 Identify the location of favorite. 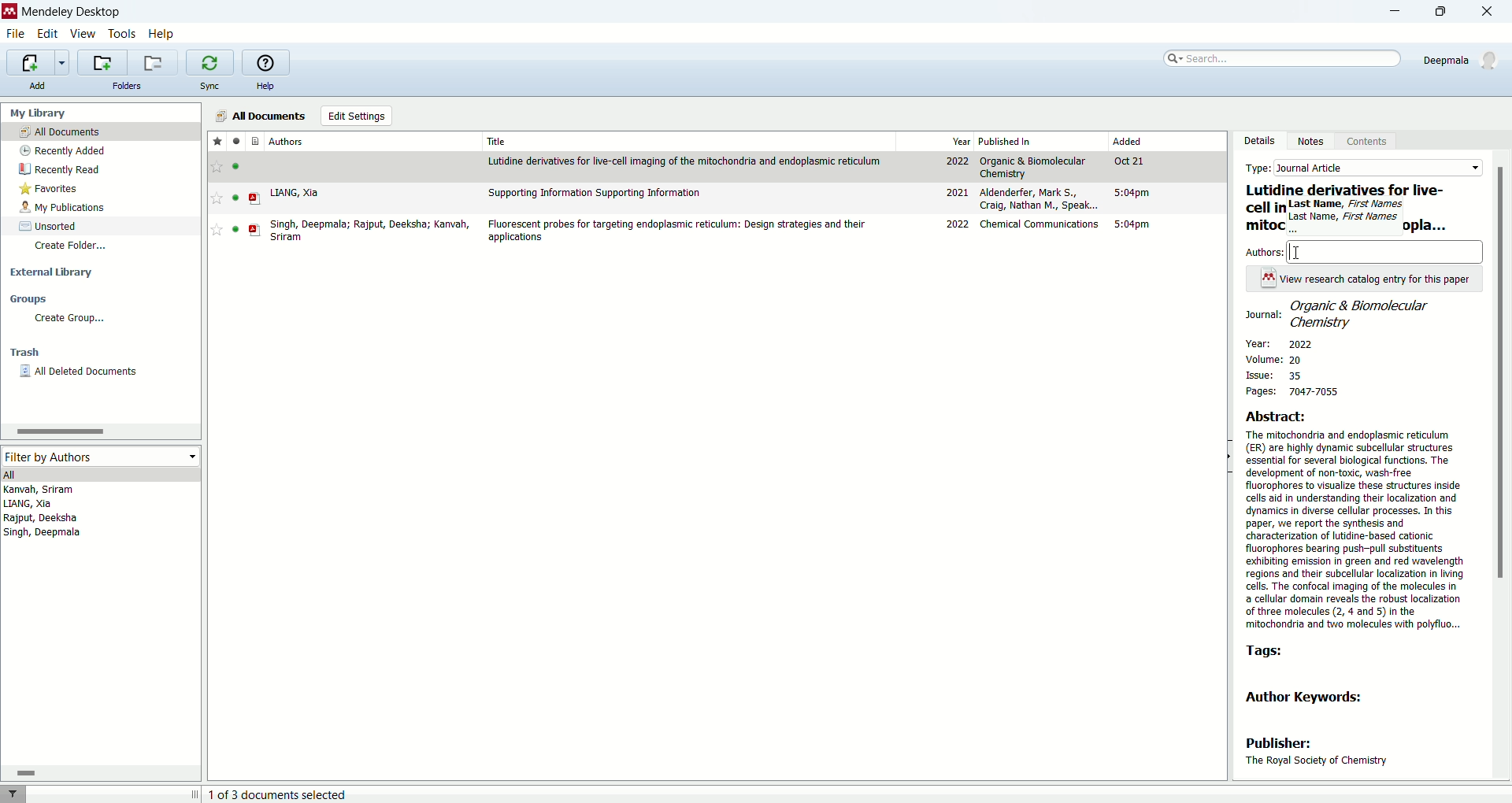
(214, 141).